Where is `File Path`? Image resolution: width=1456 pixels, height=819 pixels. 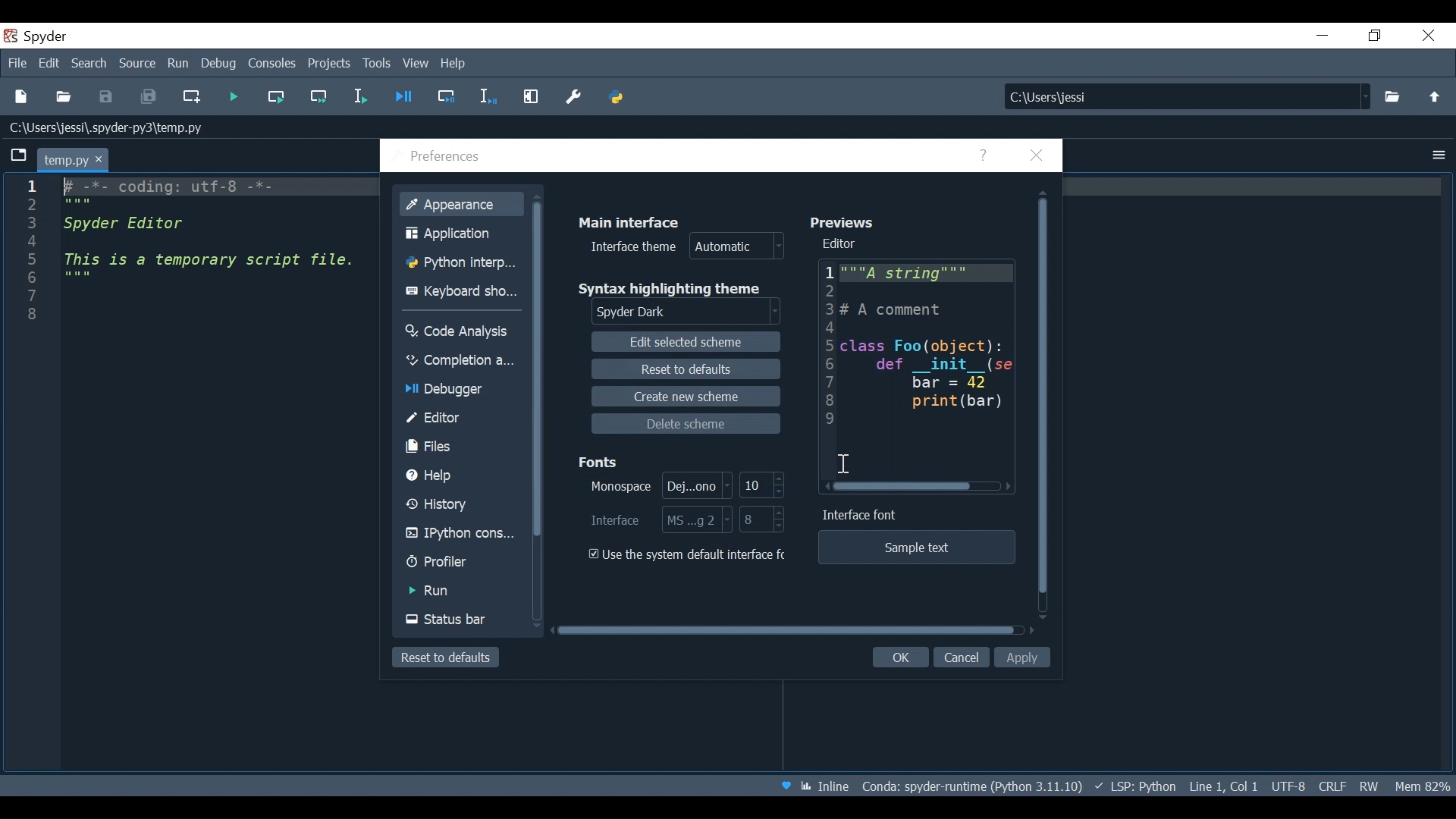 File Path is located at coordinates (111, 128).